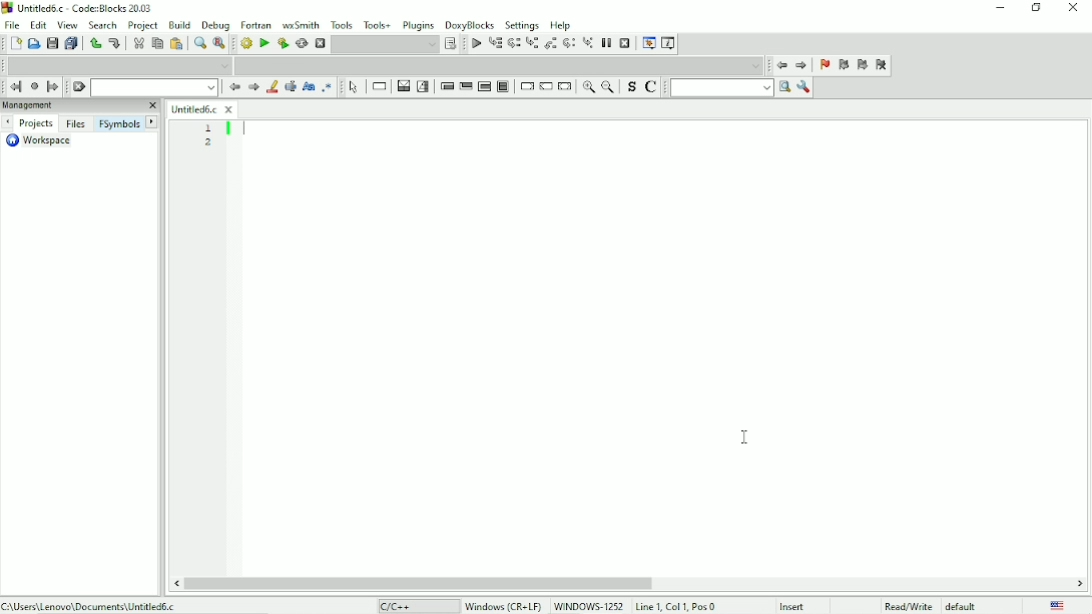 The height and width of the screenshot is (614, 1092). I want to click on Save, so click(52, 43).